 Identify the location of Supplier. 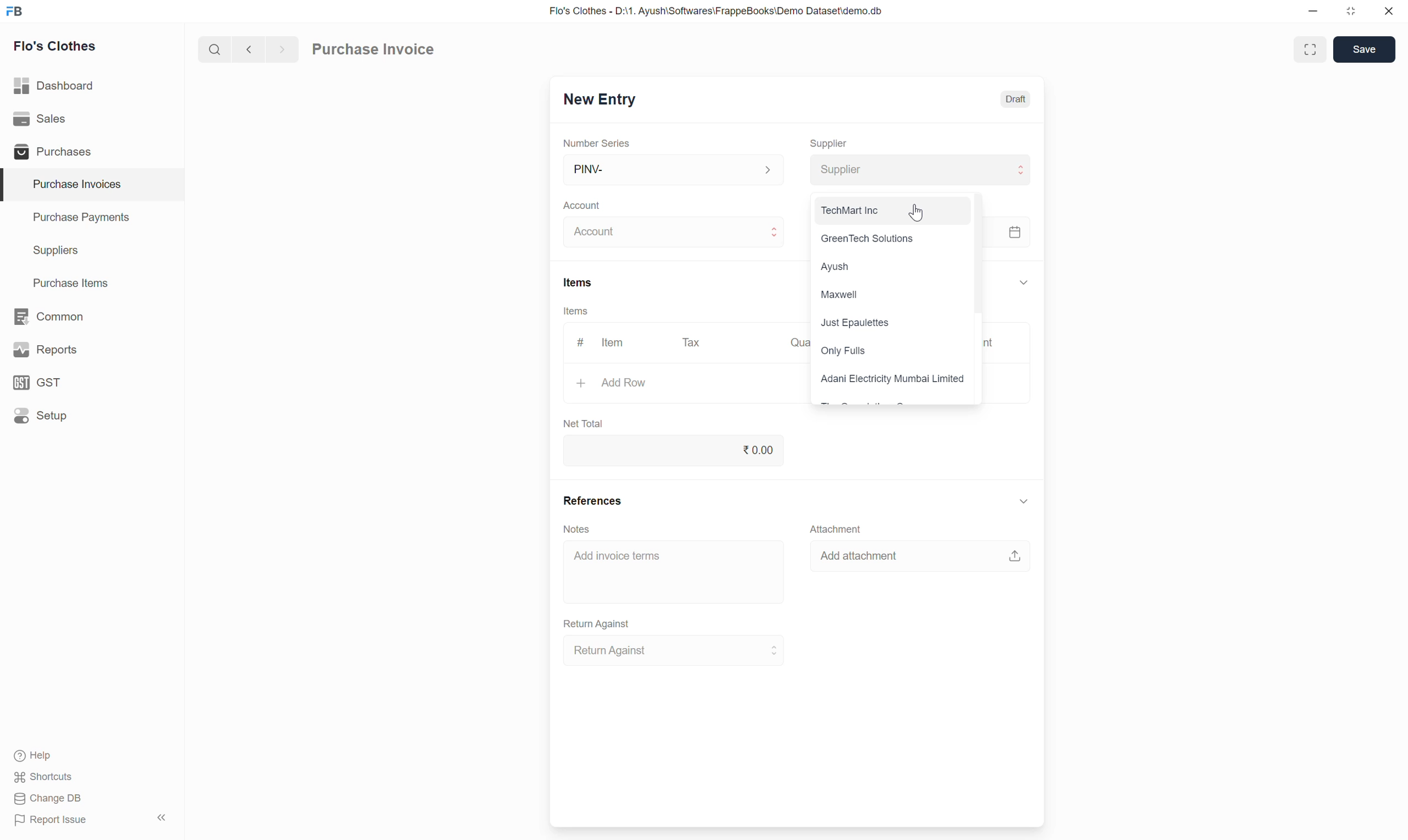
(921, 170).